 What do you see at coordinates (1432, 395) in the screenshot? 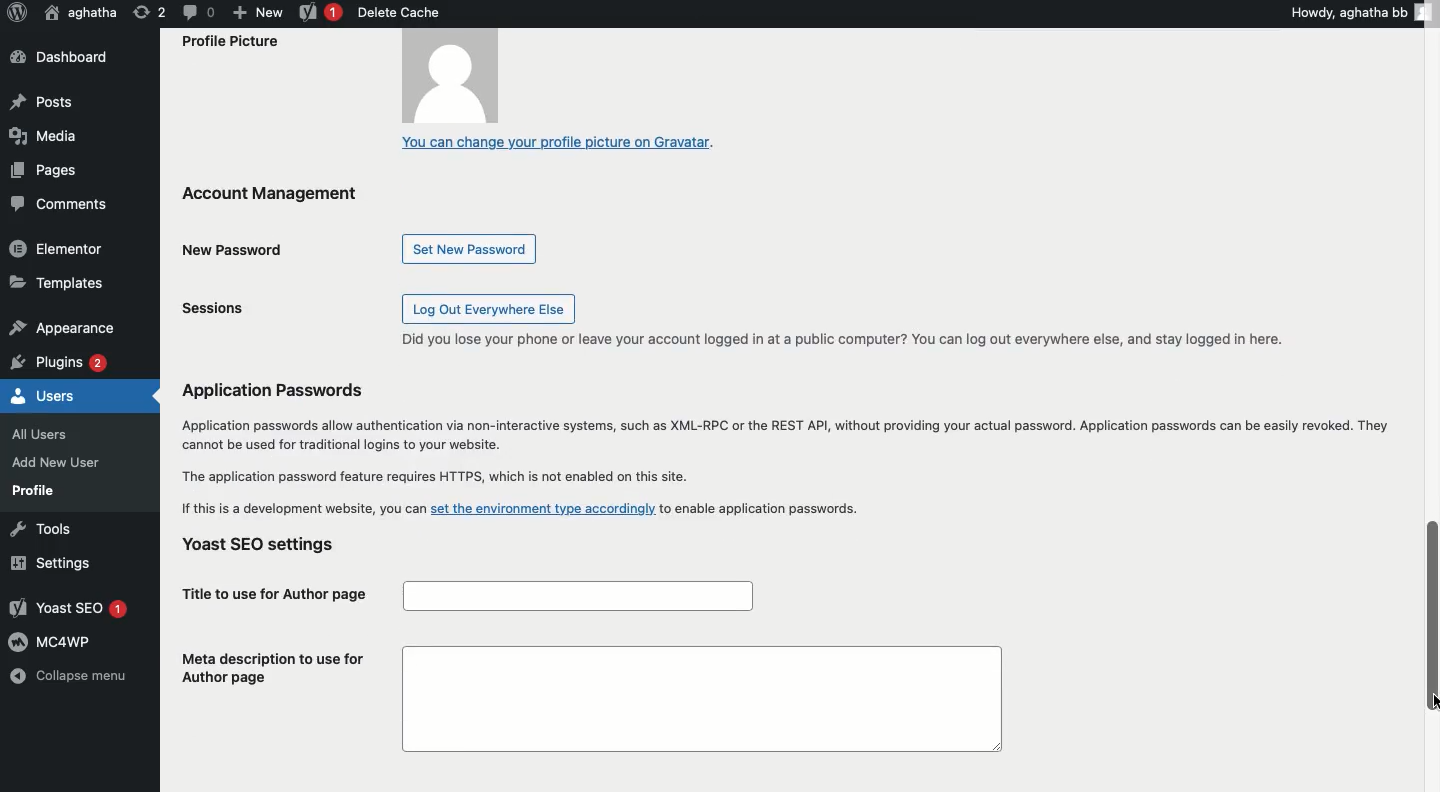
I see `Scrollbar` at bounding box center [1432, 395].